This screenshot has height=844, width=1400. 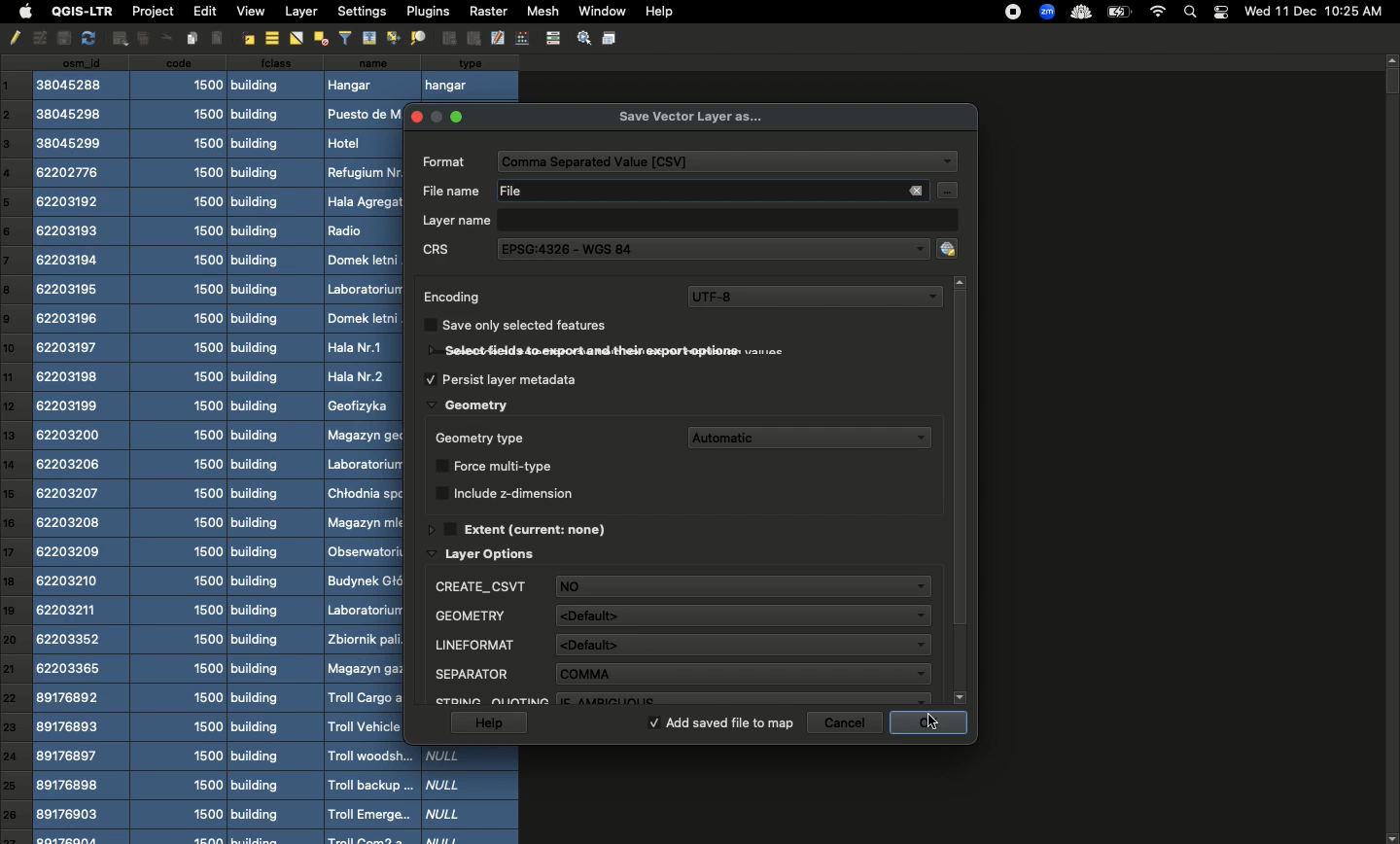 What do you see at coordinates (79, 12) in the screenshot?
I see `QGIS-LTR` at bounding box center [79, 12].